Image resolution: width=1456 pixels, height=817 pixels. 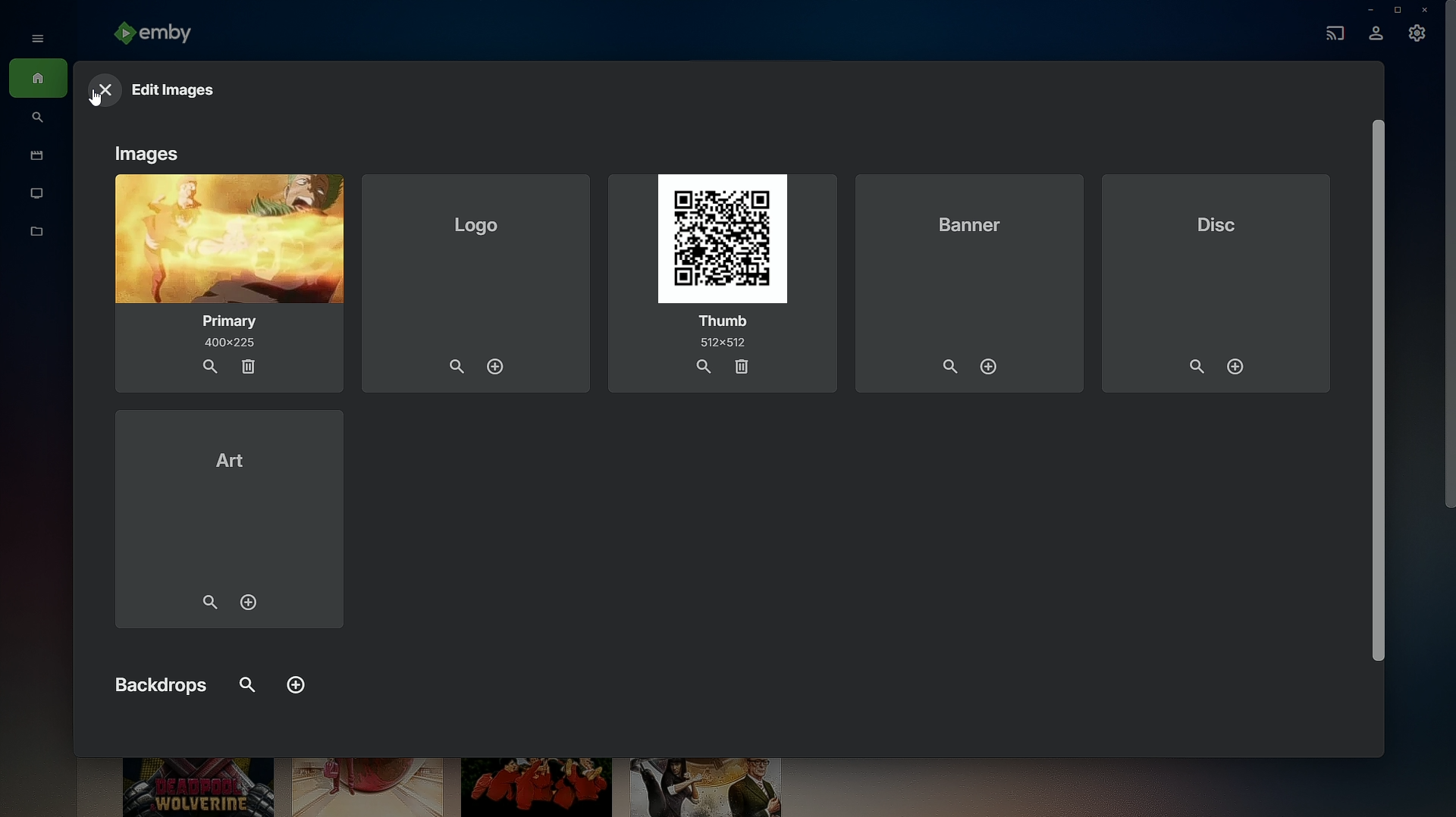 What do you see at coordinates (159, 35) in the screenshot?
I see `emby` at bounding box center [159, 35].